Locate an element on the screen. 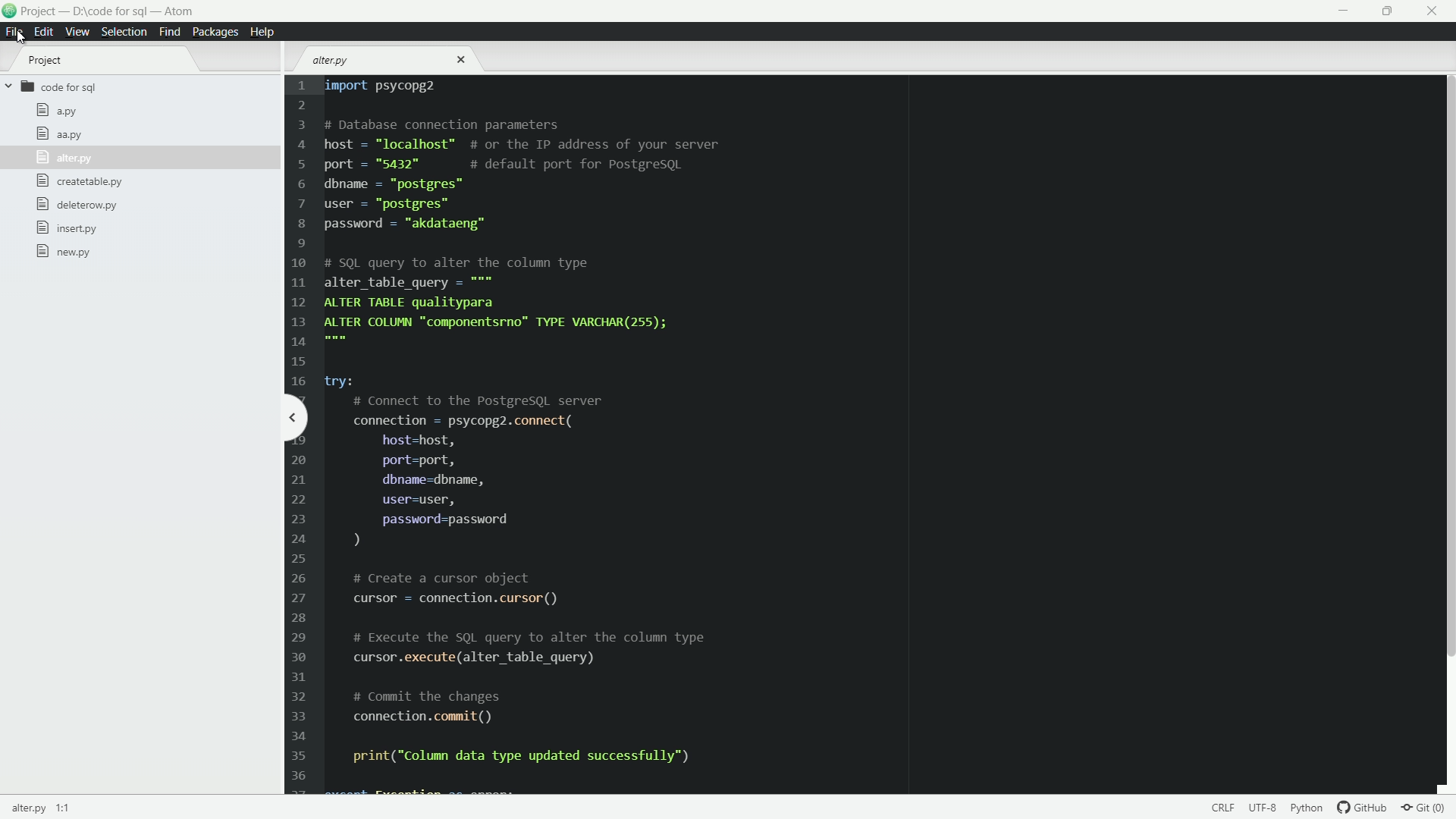  aa.py file is located at coordinates (58, 136).